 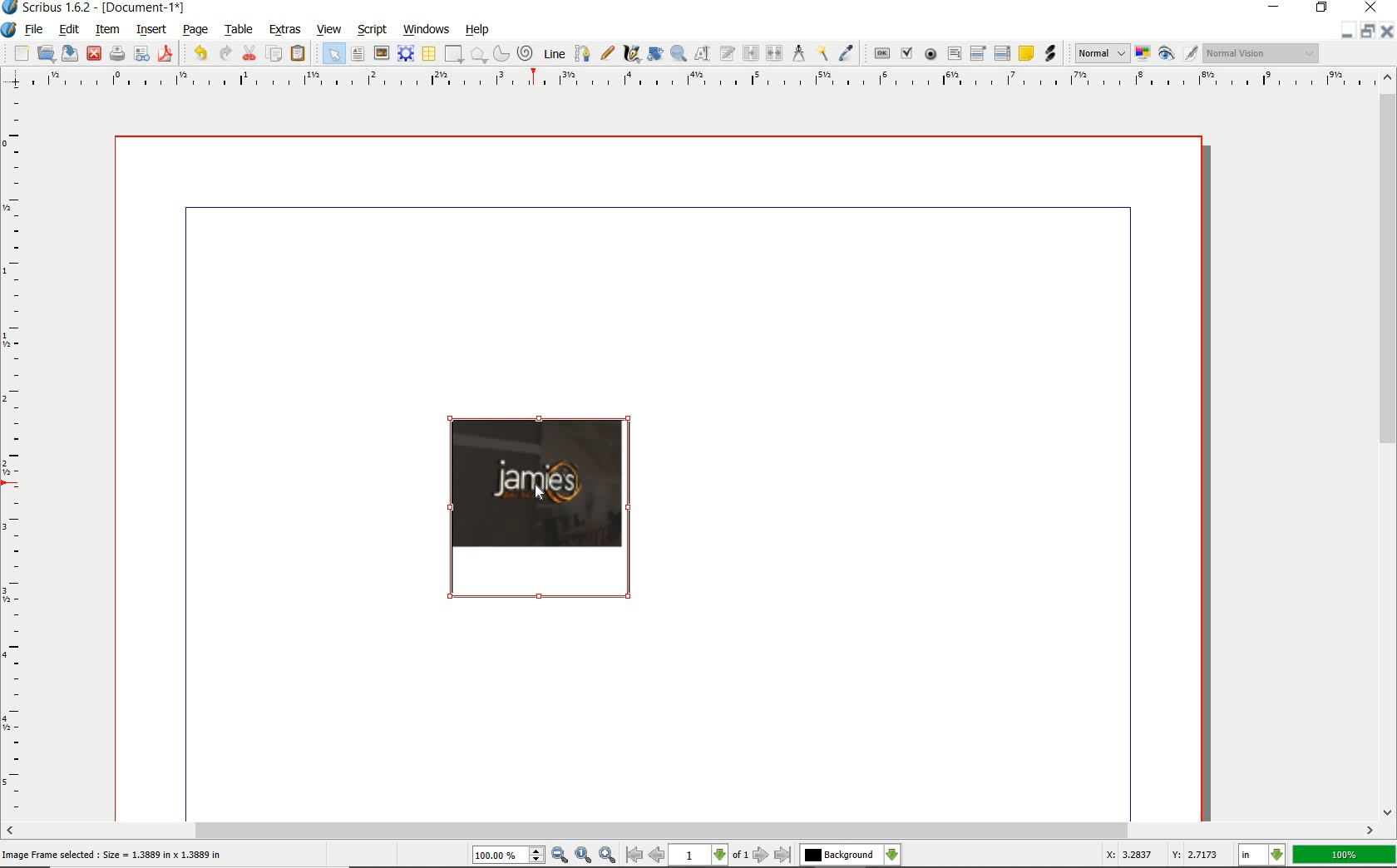 What do you see at coordinates (121, 853) in the screenshot?
I see `image frame selected : size = 1.3889 in x 1.3889 in` at bounding box center [121, 853].